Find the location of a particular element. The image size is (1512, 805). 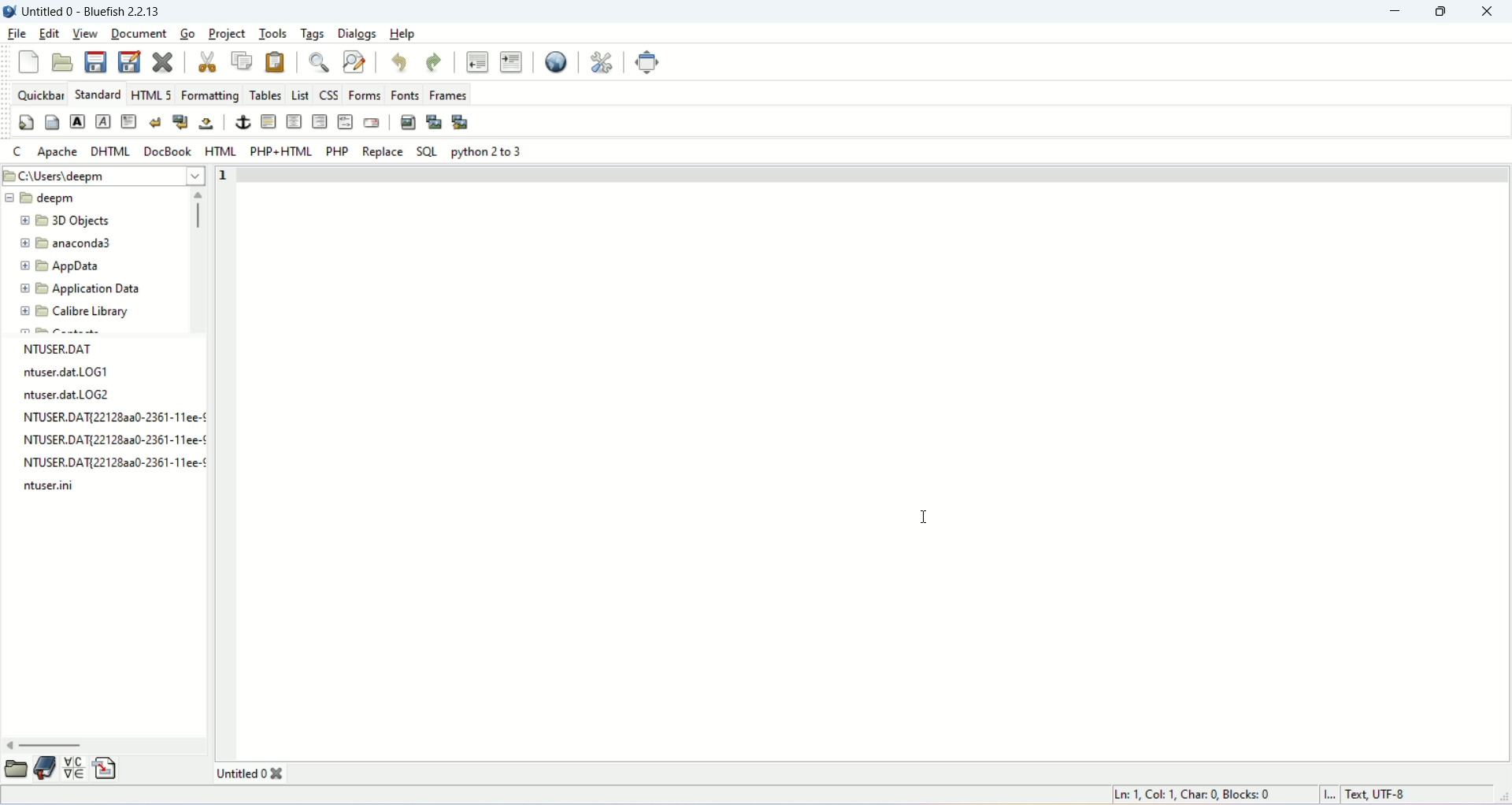

indent is located at coordinates (511, 61).